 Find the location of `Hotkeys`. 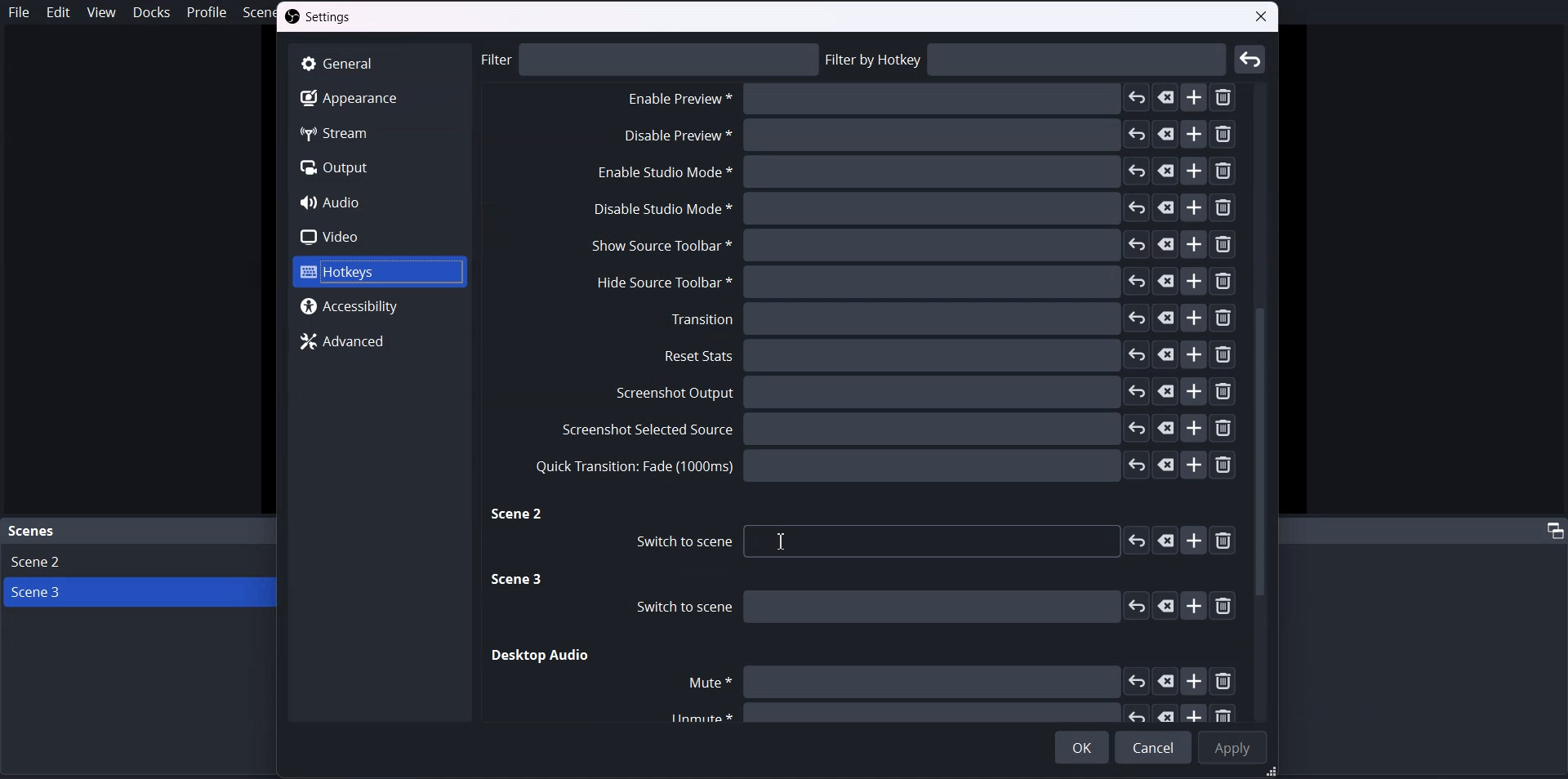

Hotkeys is located at coordinates (377, 273).